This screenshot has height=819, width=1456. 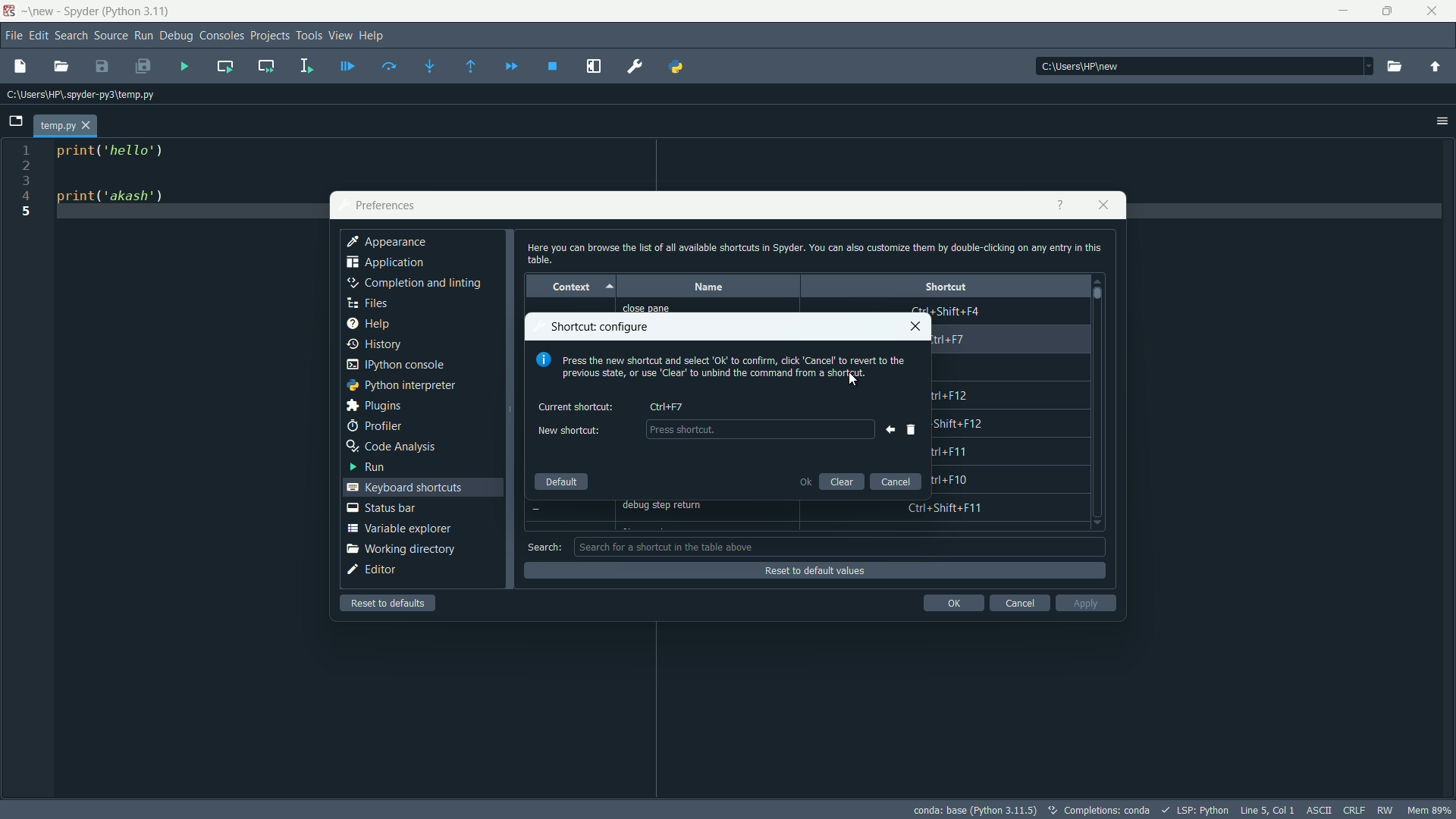 What do you see at coordinates (677, 65) in the screenshot?
I see `python path manager` at bounding box center [677, 65].